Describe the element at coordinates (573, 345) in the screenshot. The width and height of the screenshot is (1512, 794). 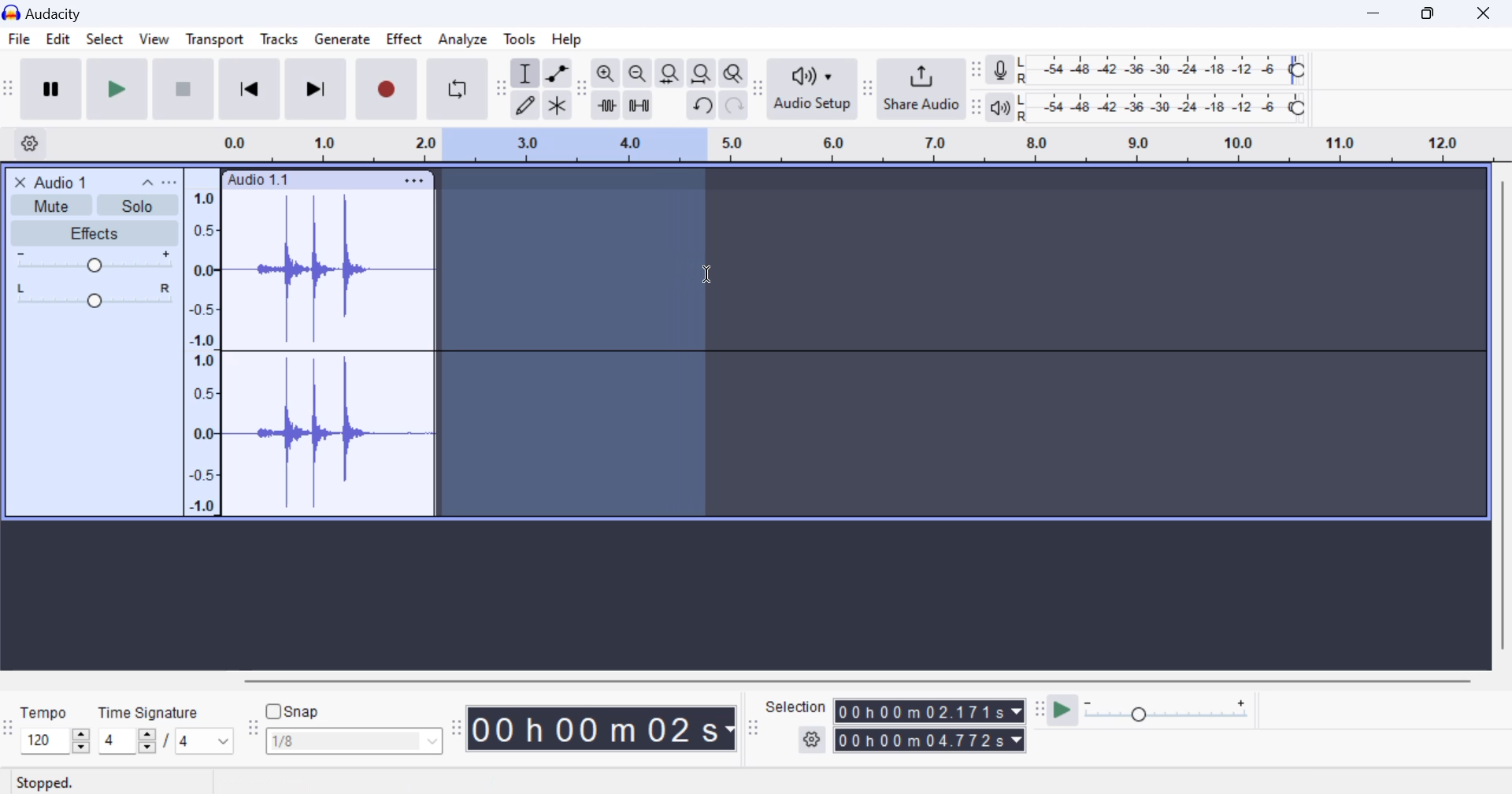
I see `Area Selected` at that location.